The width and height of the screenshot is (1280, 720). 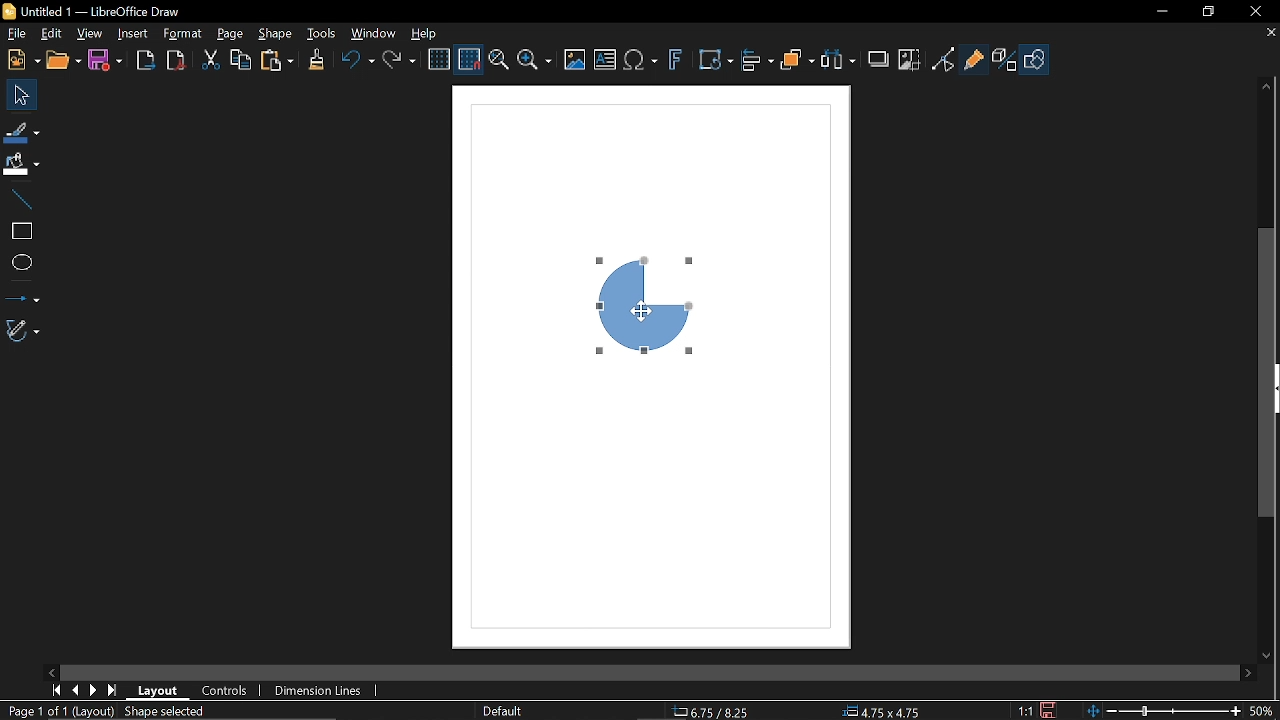 What do you see at coordinates (677, 61) in the screenshot?
I see `insert fontwork` at bounding box center [677, 61].